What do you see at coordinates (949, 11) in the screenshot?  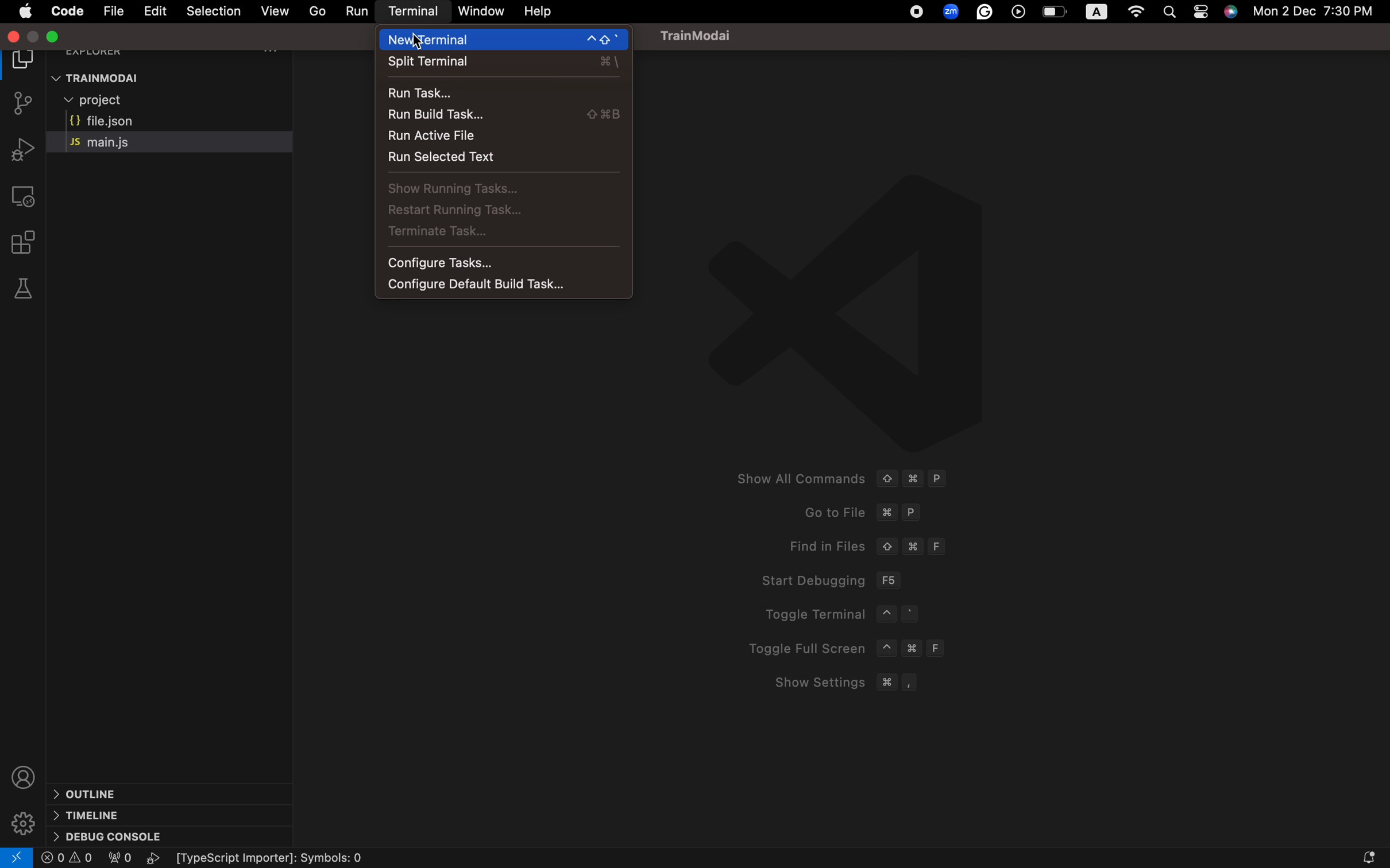 I see `zoom` at bounding box center [949, 11].